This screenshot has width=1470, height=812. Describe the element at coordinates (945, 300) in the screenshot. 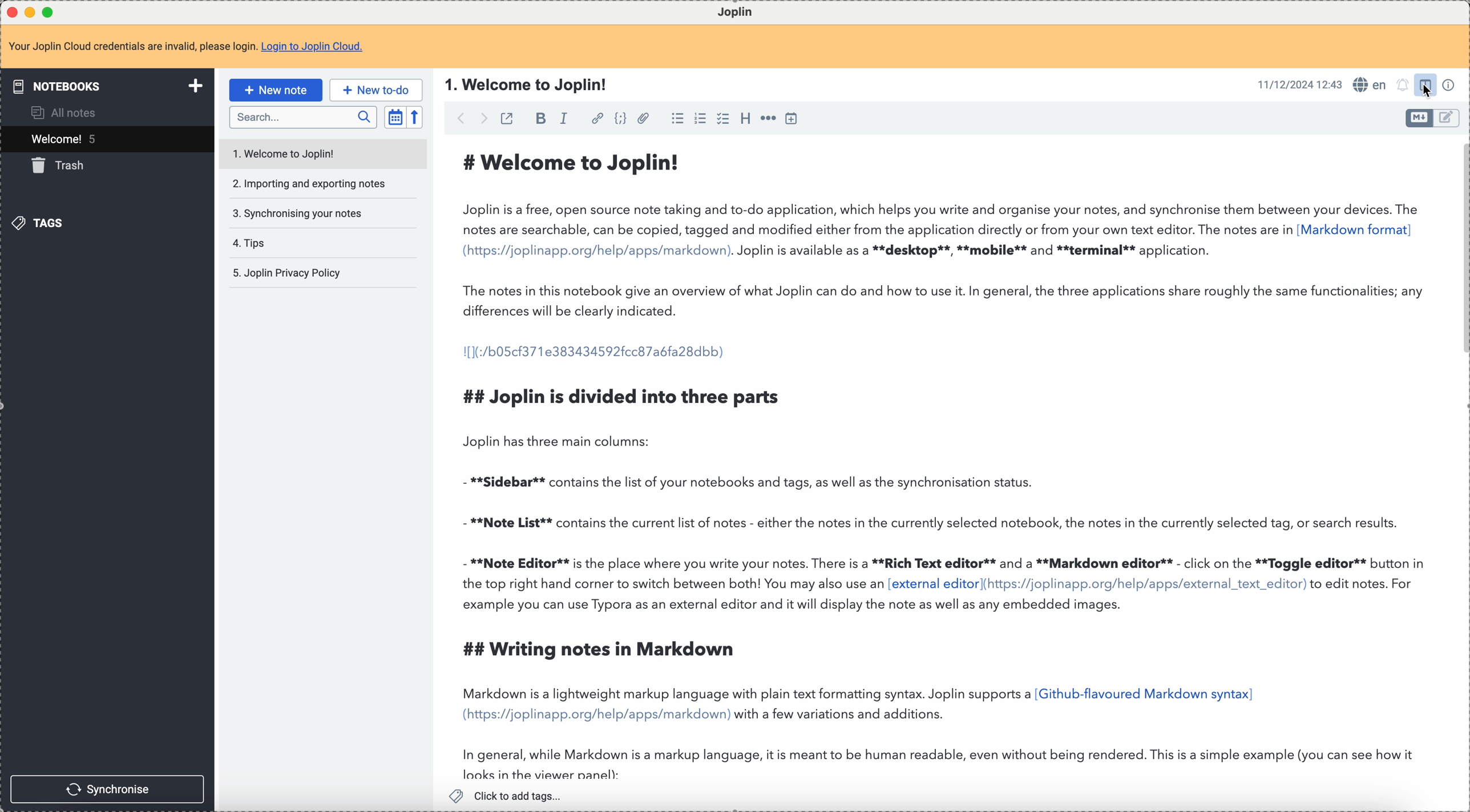

I see `The notes in this notebook give an overview of what Joplin can do and how to use it. In general, the three applications share roughly the same functionalities; any
differences will be clearly indicated.` at that location.